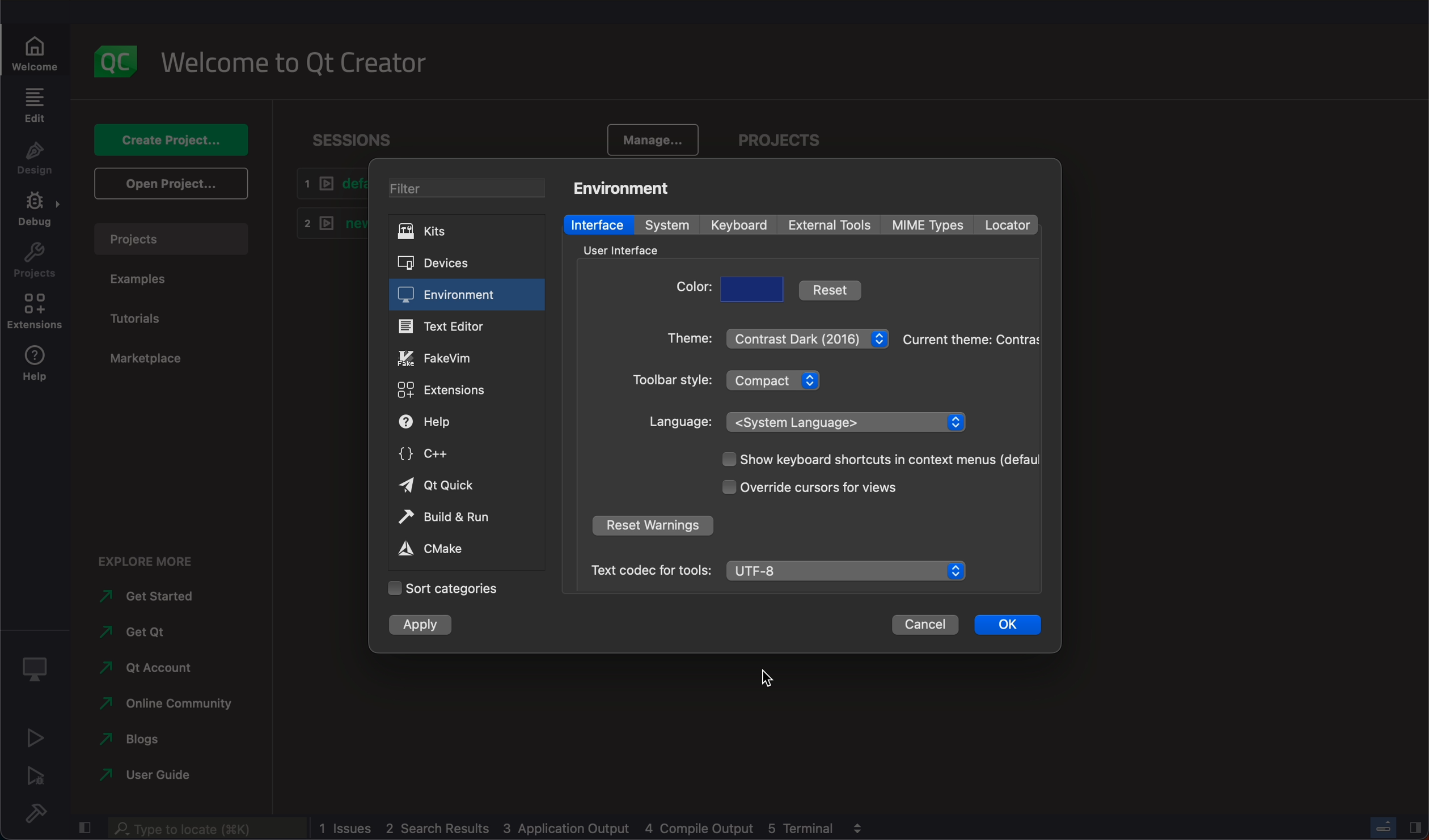 Image resolution: width=1429 pixels, height=840 pixels. What do you see at coordinates (143, 629) in the screenshot?
I see `get` at bounding box center [143, 629].